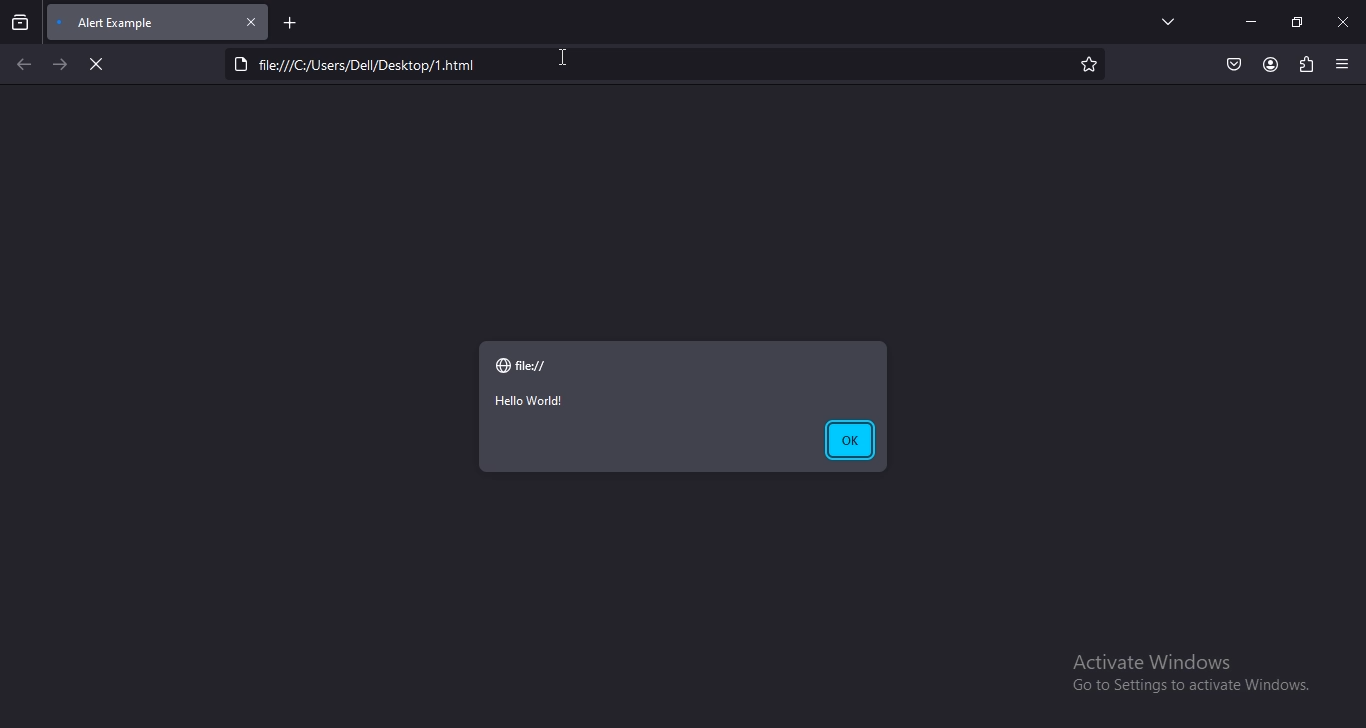 The image size is (1366, 728). Describe the element at coordinates (25, 66) in the screenshot. I see `go to previous page` at that location.